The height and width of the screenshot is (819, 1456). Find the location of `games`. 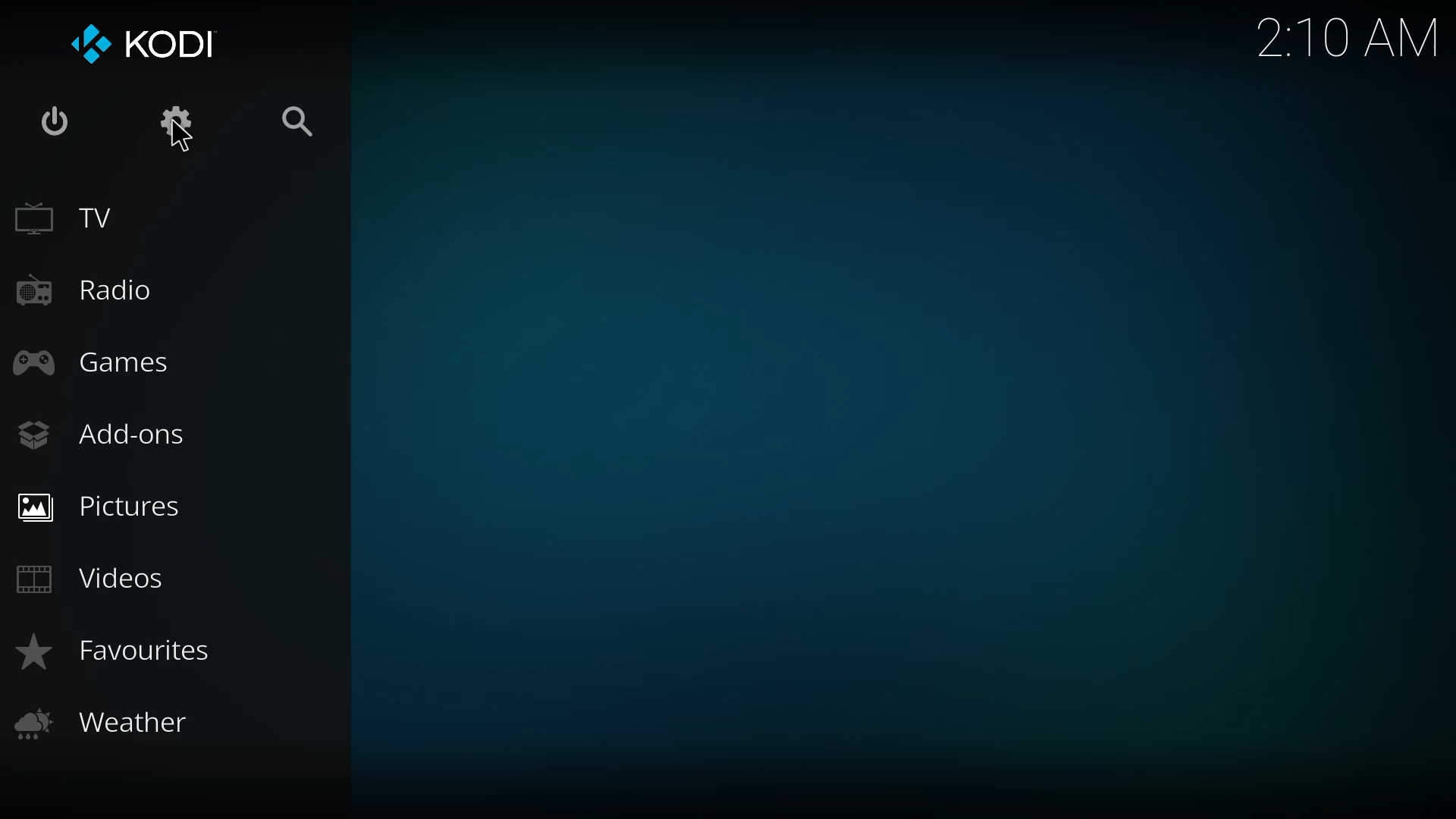

games is located at coordinates (93, 360).